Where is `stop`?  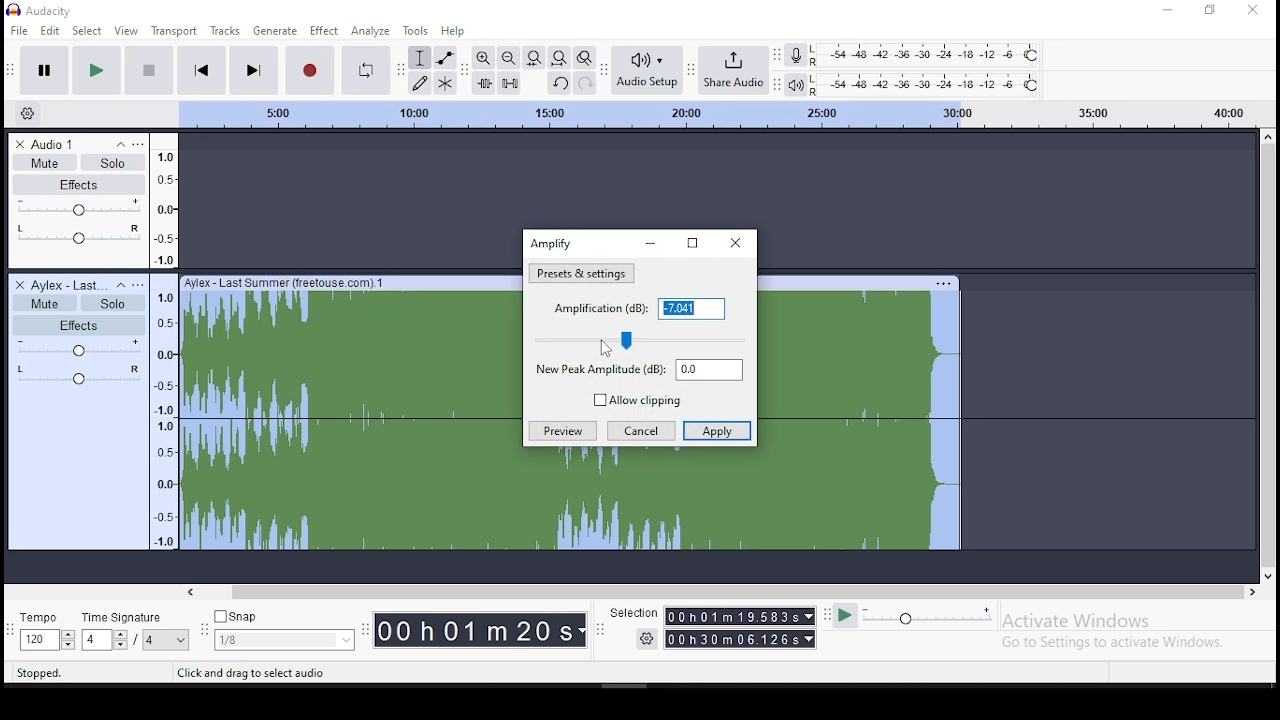 stop is located at coordinates (149, 69).